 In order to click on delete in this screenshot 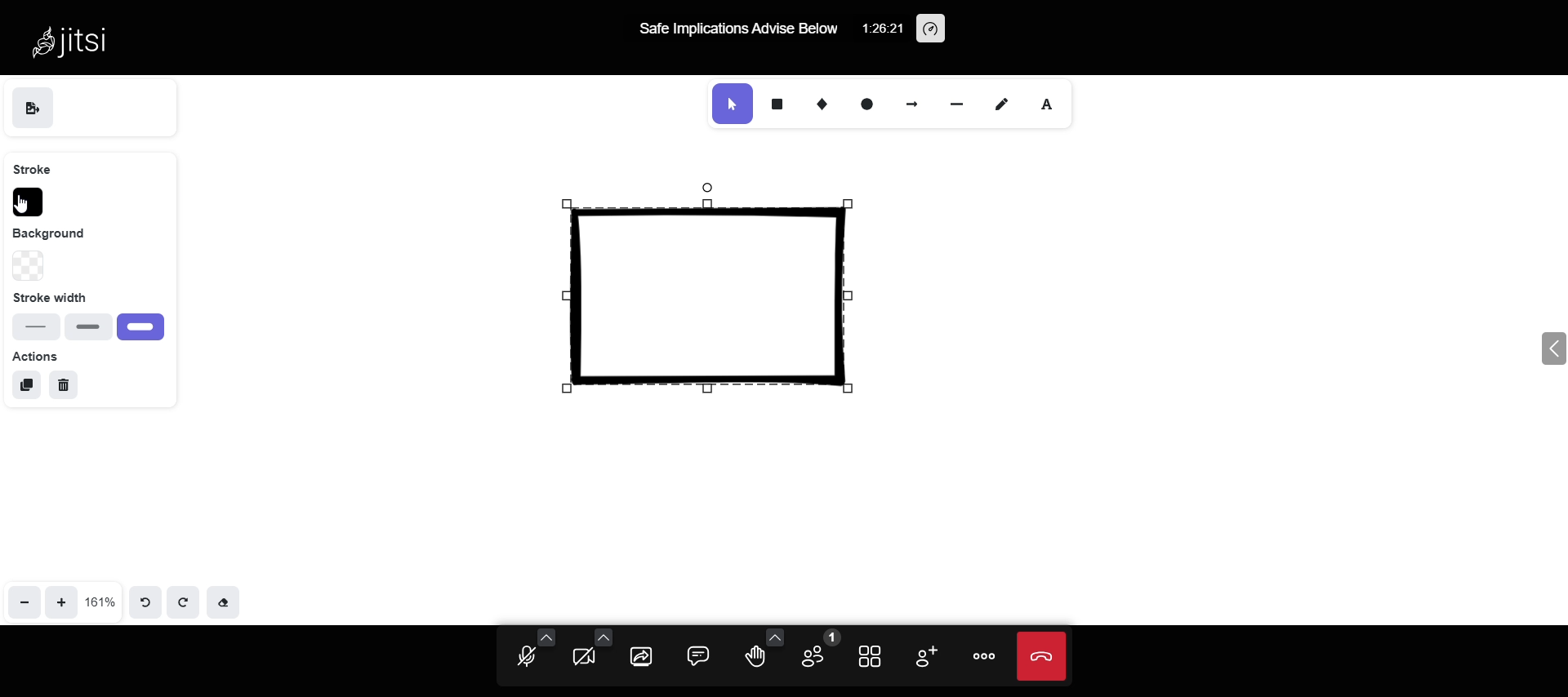, I will do `click(64, 382)`.